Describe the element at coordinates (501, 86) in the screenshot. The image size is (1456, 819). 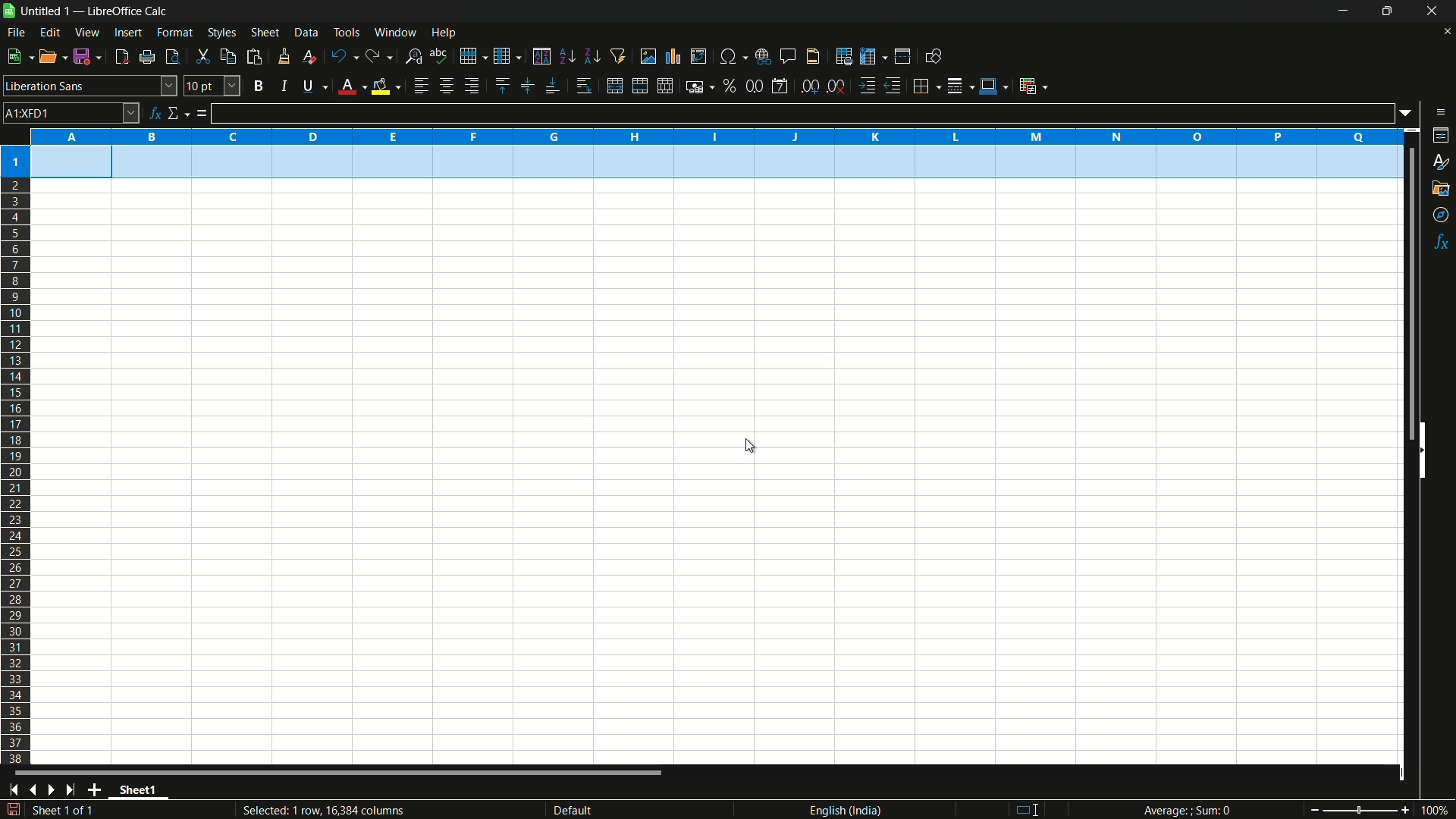
I see `align top` at that location.